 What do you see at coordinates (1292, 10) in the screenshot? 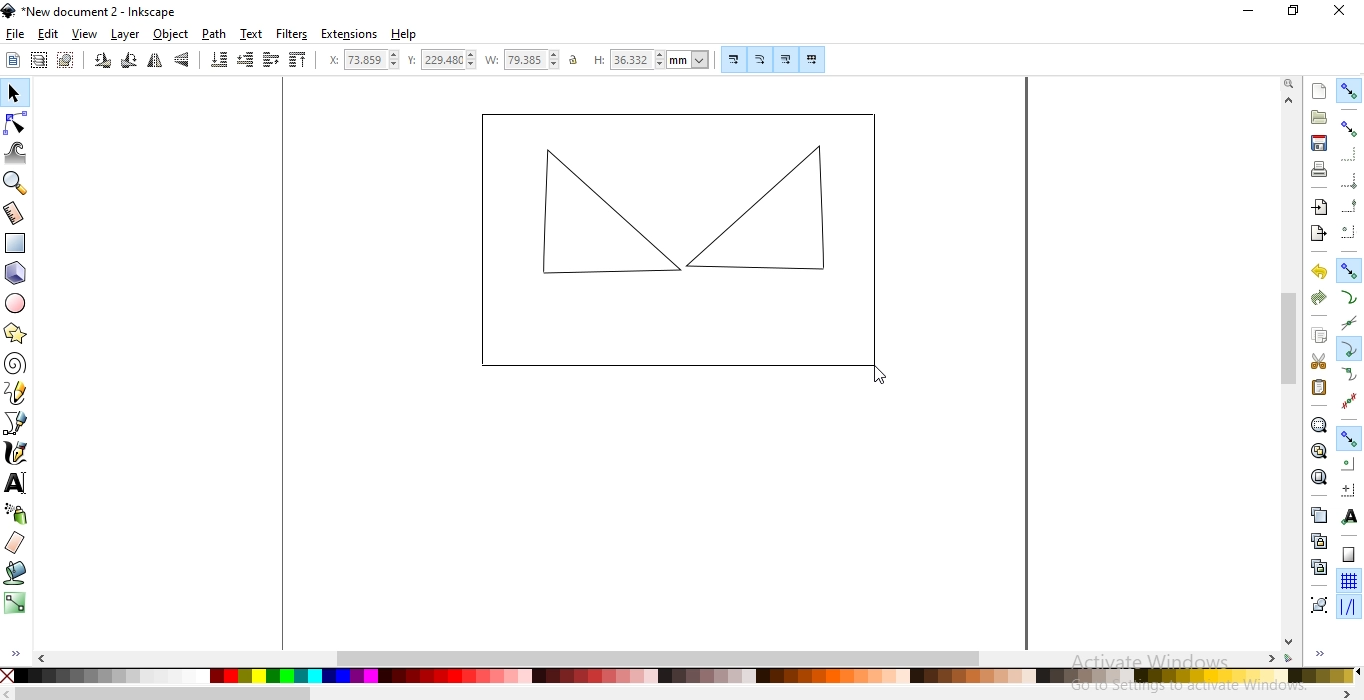
I see `restore down` at bounding box center [1292, 10].